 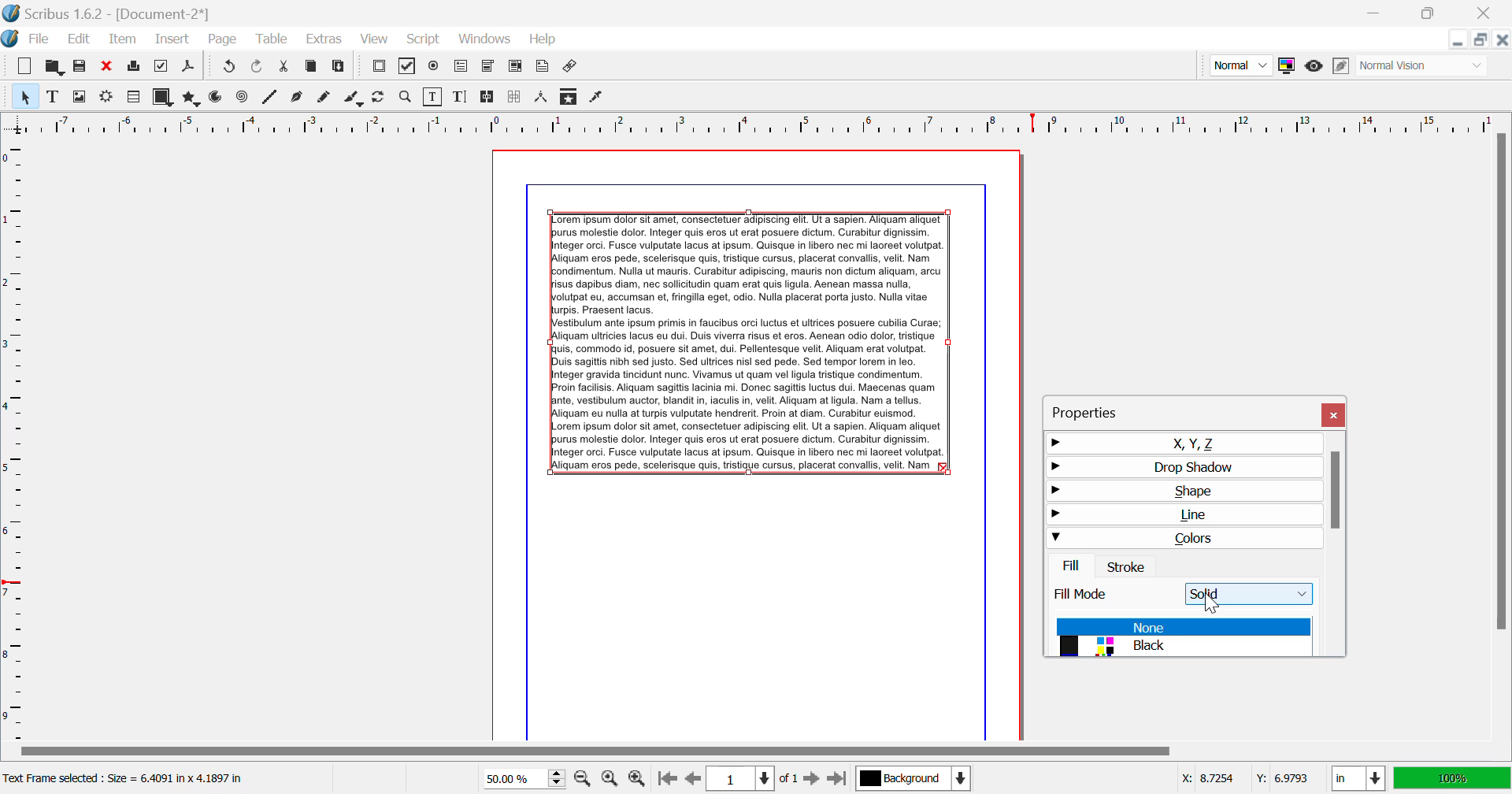 I want to click on Vertical Page Margin, so click(x=780, y=123).